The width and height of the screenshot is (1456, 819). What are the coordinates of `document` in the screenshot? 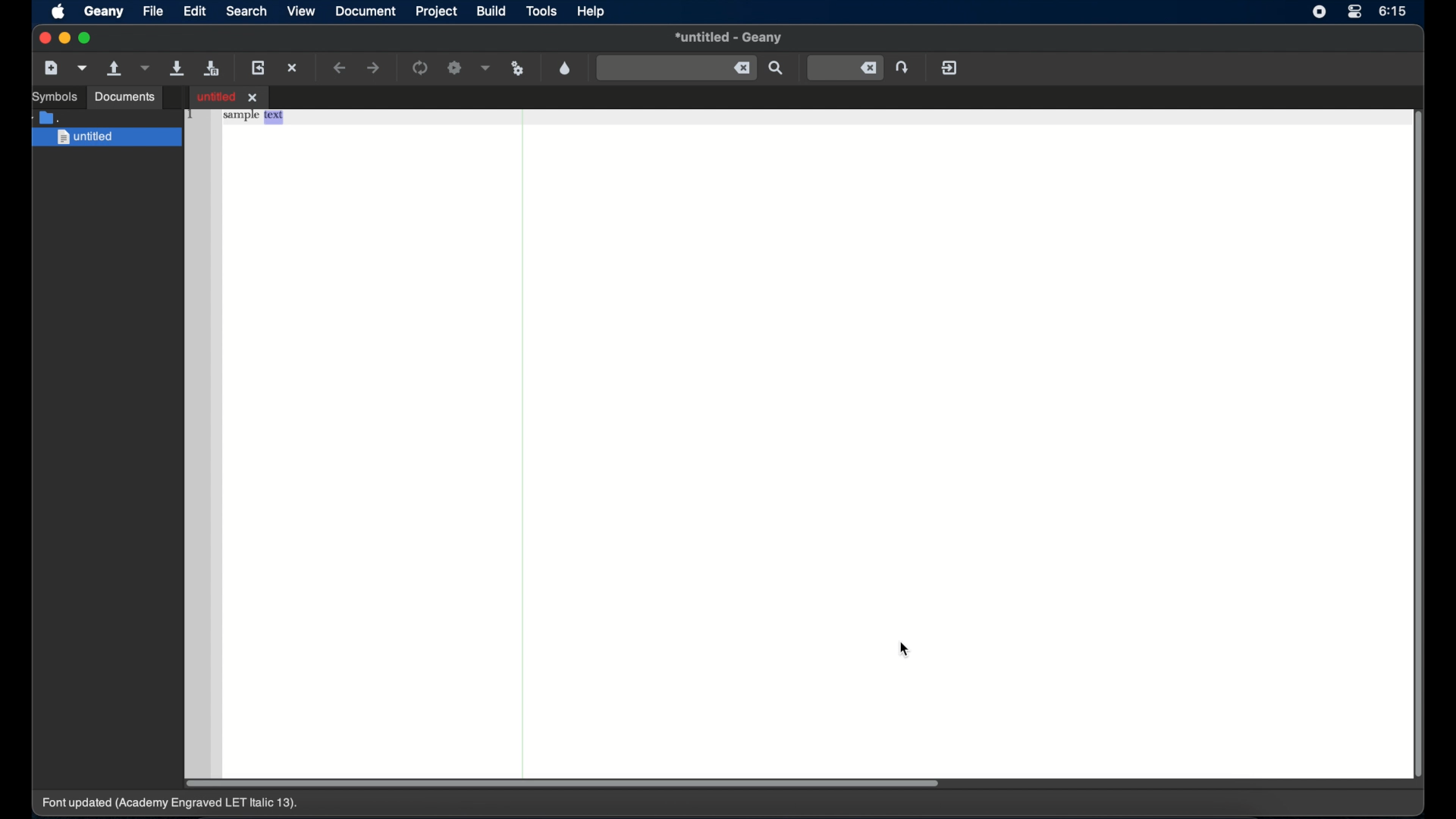 It's located at (366, 11).